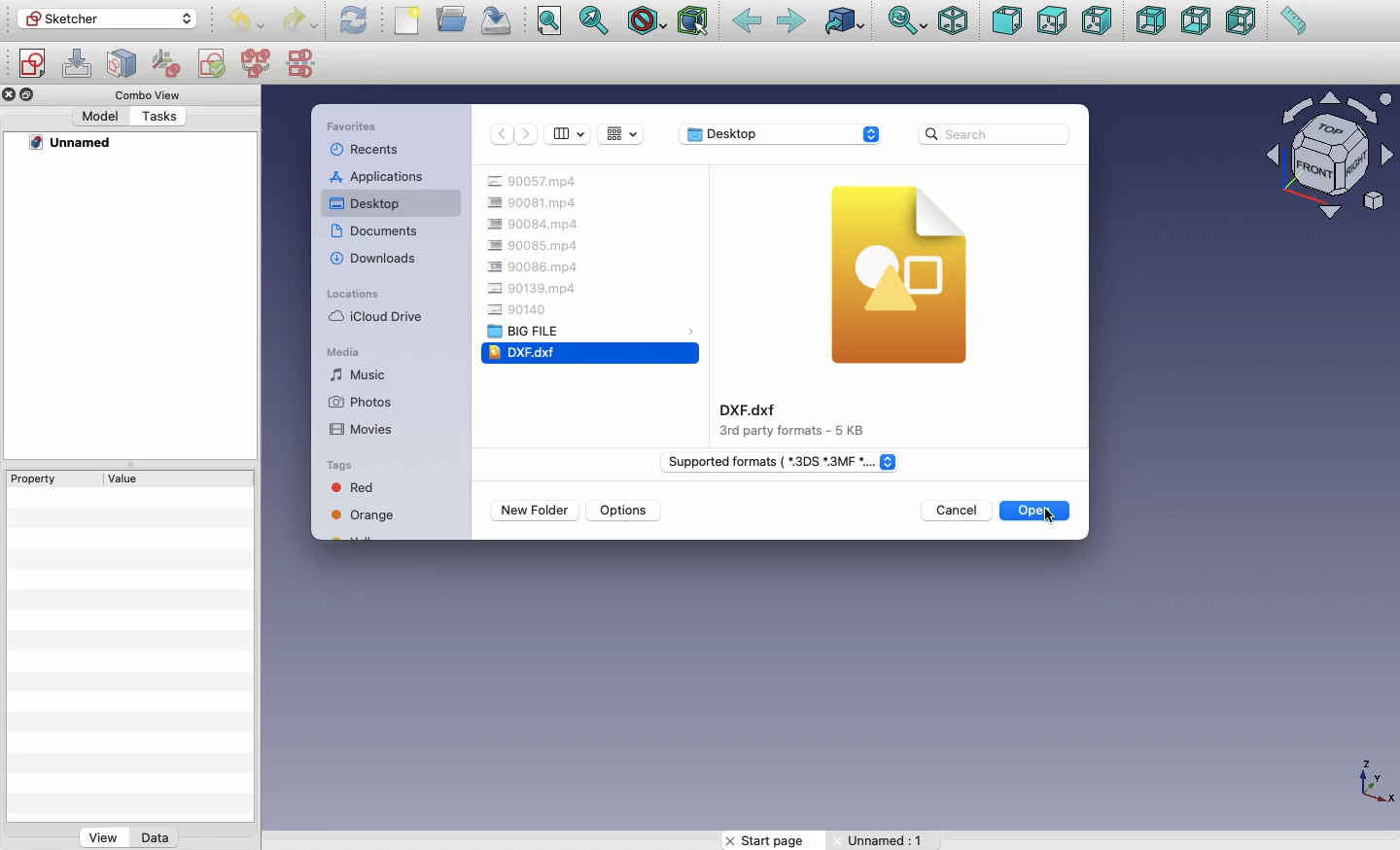 The width and height of the screenshot is (1400, 850). Describe the element at coordinates (454, 18) in the screenshot. I see `Open` at that location.